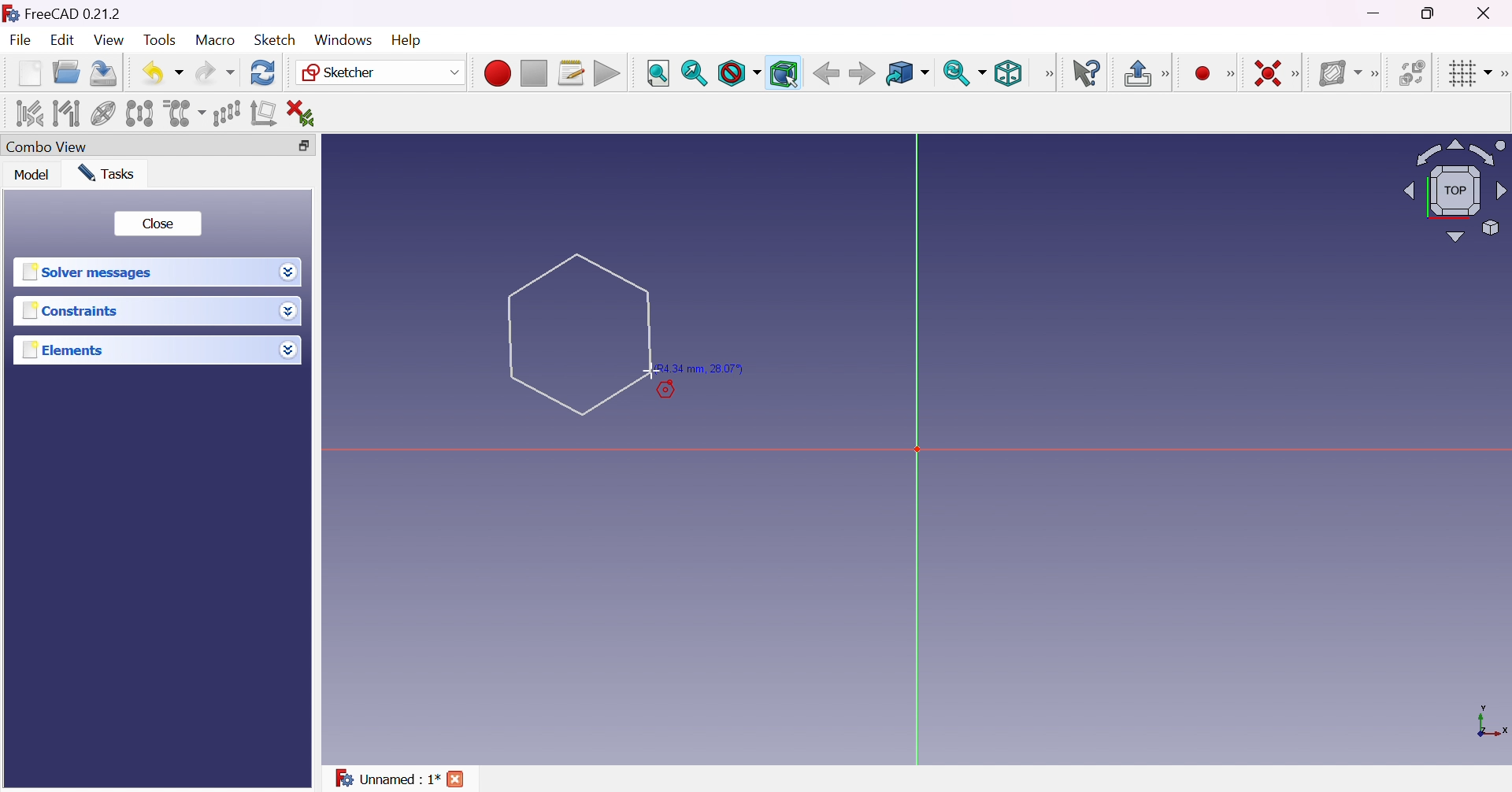  What do you see at coordinates (1167, 75) in the screenshot?
I see `[Sketcher edit model]` at bounding box center [1167, 75].